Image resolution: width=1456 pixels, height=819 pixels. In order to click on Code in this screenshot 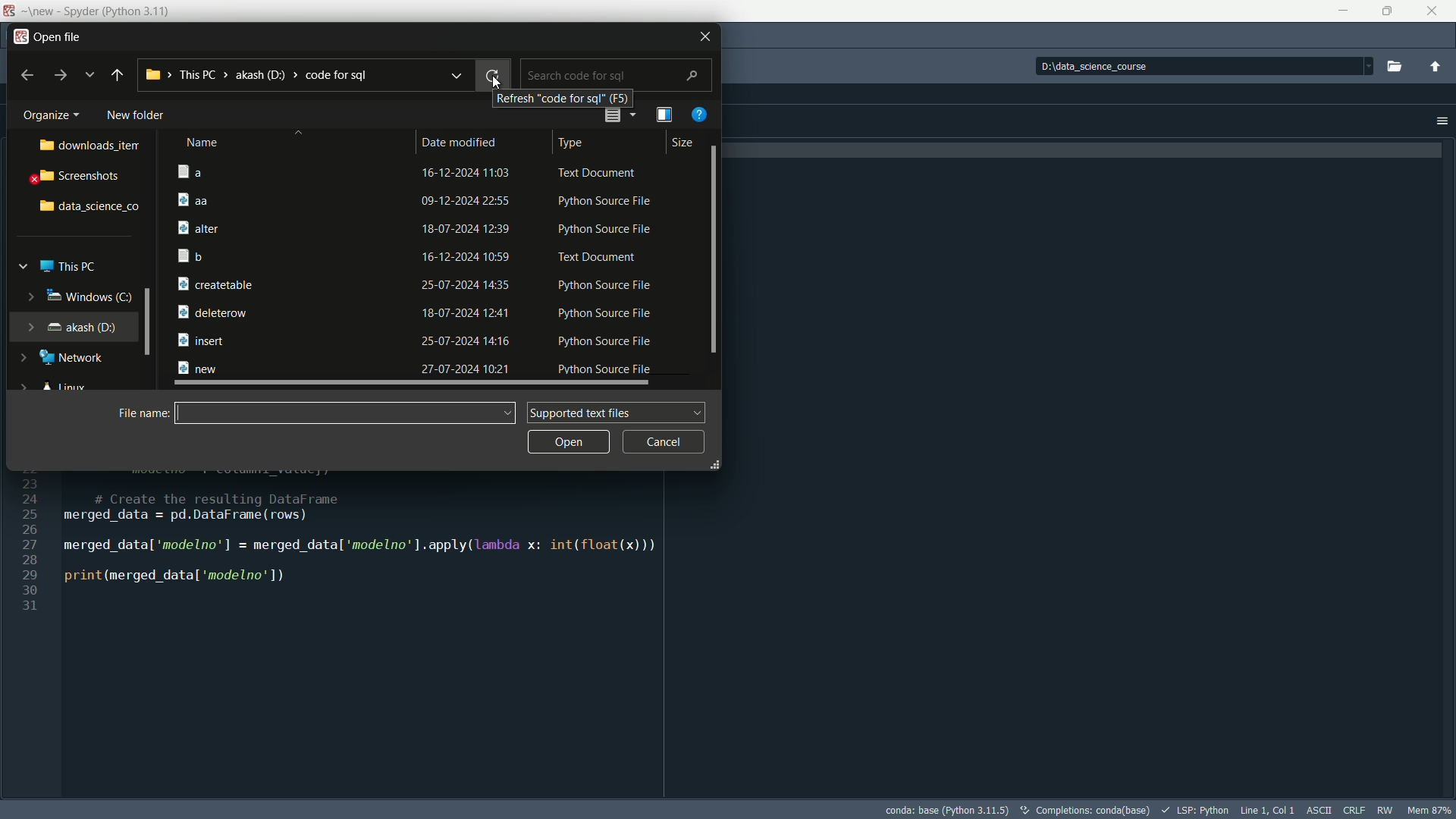, I will do `click(337, 551)`.